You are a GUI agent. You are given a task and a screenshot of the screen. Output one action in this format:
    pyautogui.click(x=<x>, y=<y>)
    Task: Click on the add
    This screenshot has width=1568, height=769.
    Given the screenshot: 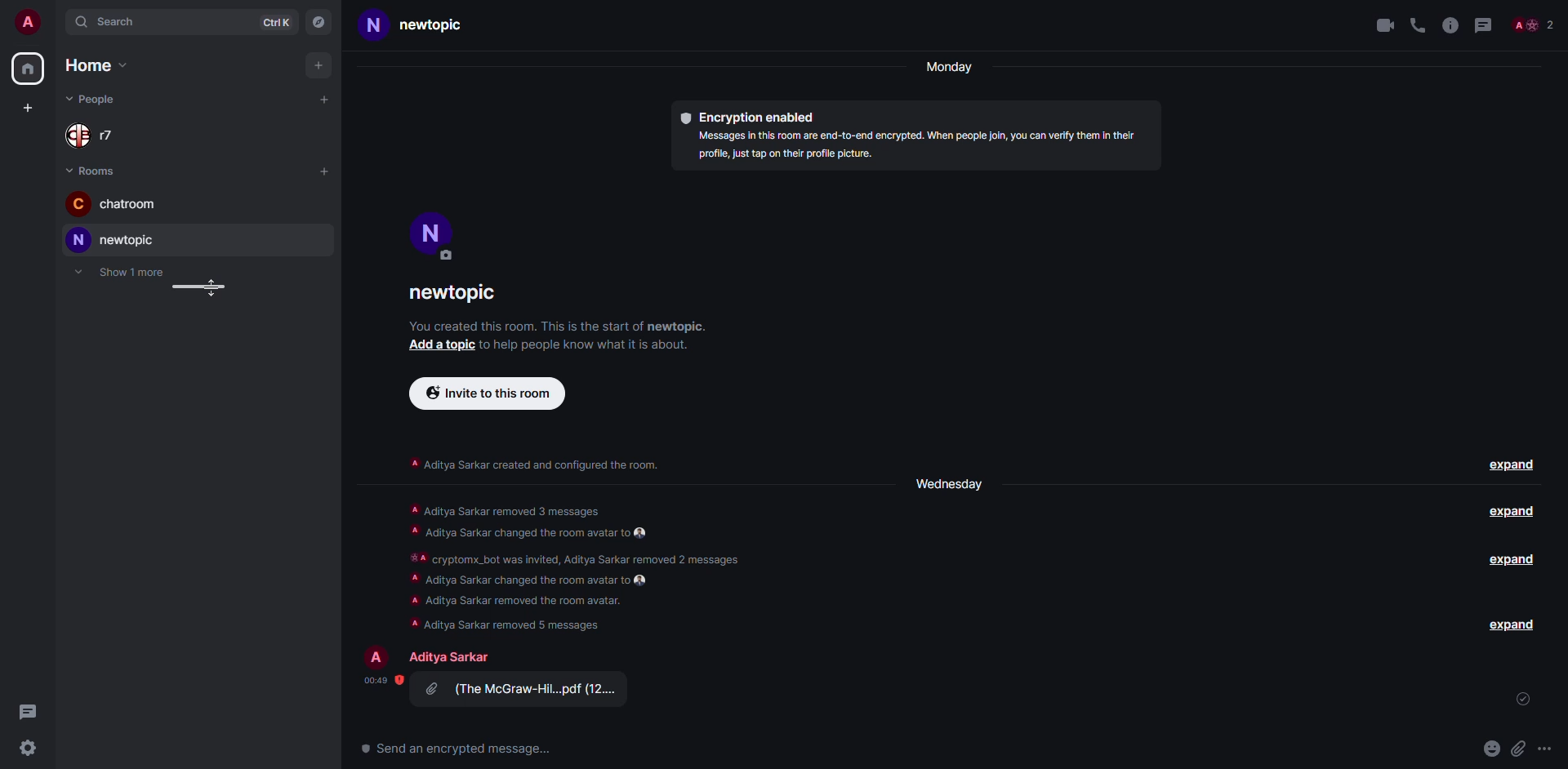 What is the action you would take?
    pyautogui.click(x=323, y=101)
    